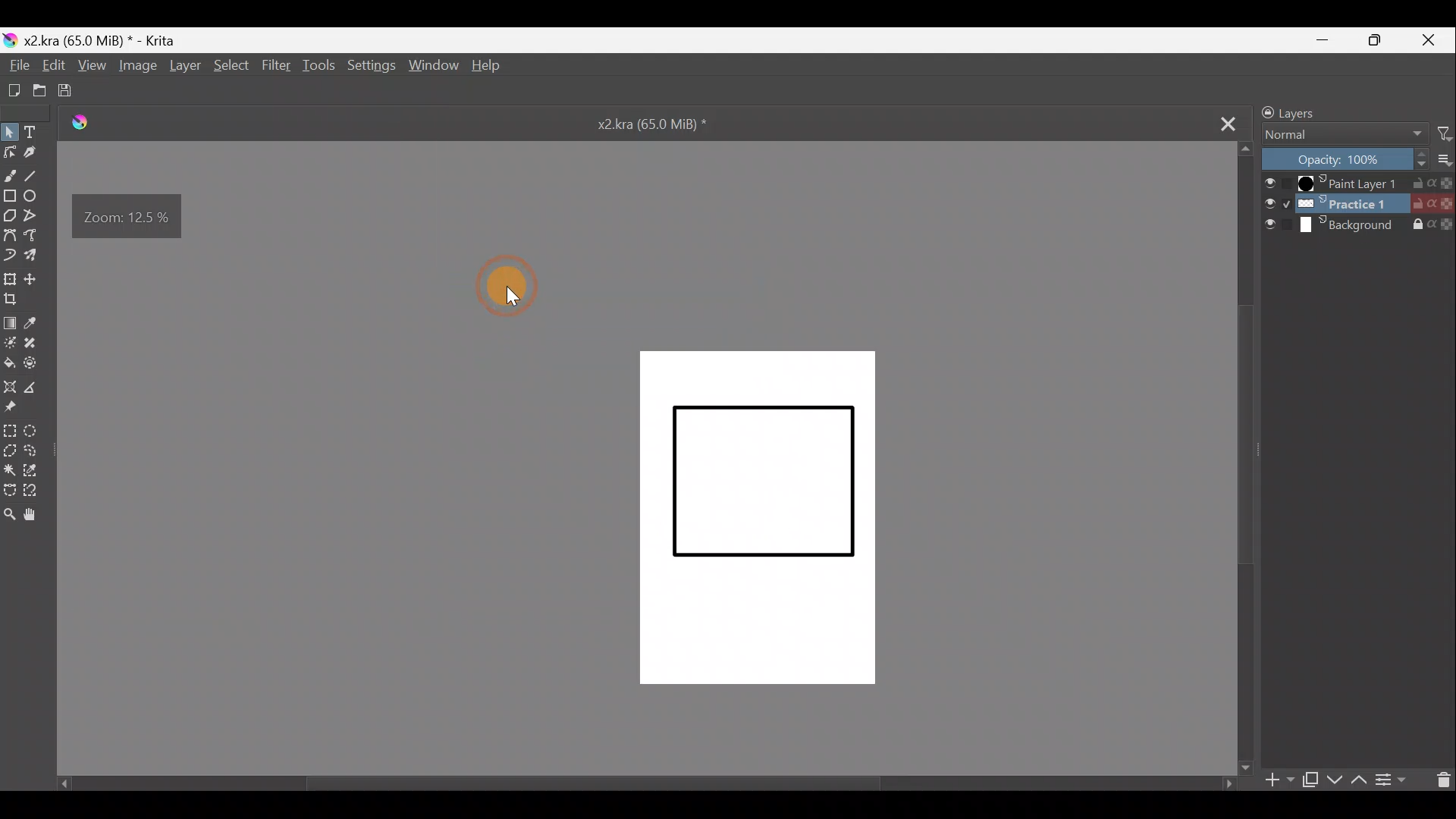 The width and height of the screenshot is (1456, 819). What do you see at coordinates (40, 391) in the screenshot?
I see `Measure distance between two points` at bounding box center [40, 391].